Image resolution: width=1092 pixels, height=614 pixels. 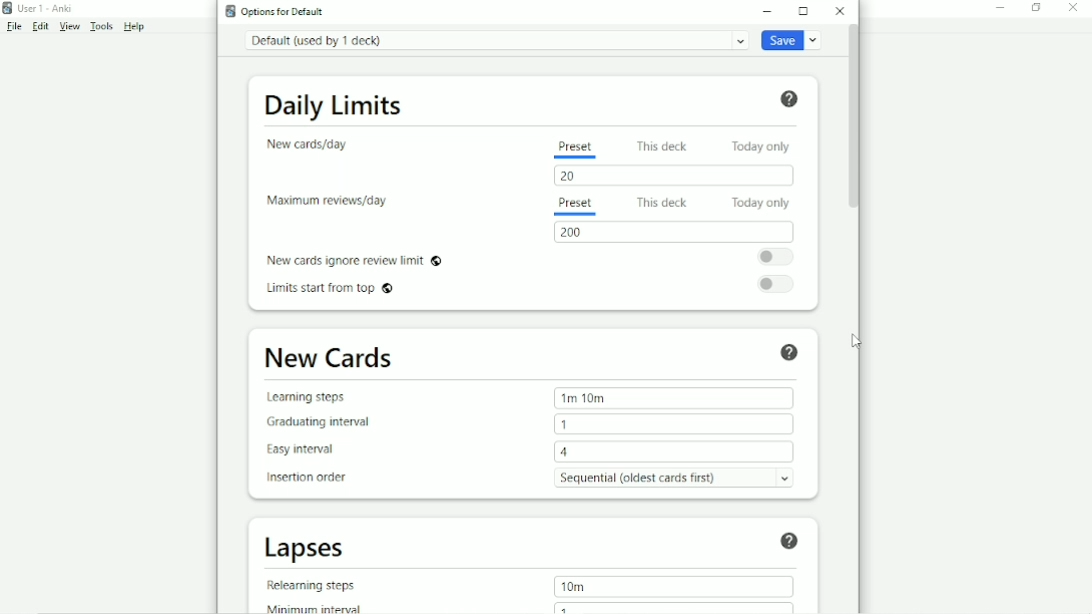 I want to click on Toggle on/off, so click(x=777, y=257).